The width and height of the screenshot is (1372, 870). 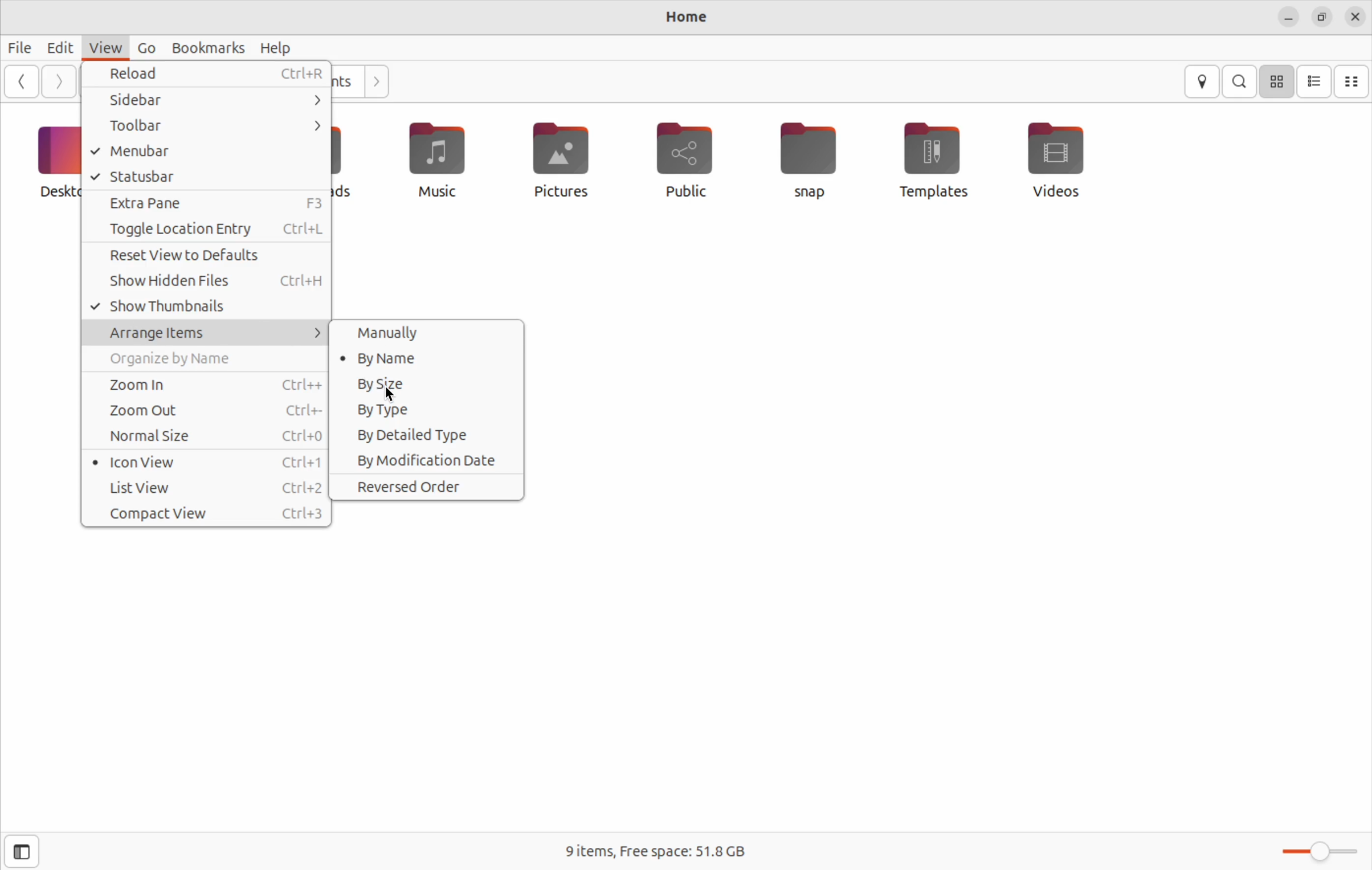 I want to click on desktop icon, so click(x=43, y=163).